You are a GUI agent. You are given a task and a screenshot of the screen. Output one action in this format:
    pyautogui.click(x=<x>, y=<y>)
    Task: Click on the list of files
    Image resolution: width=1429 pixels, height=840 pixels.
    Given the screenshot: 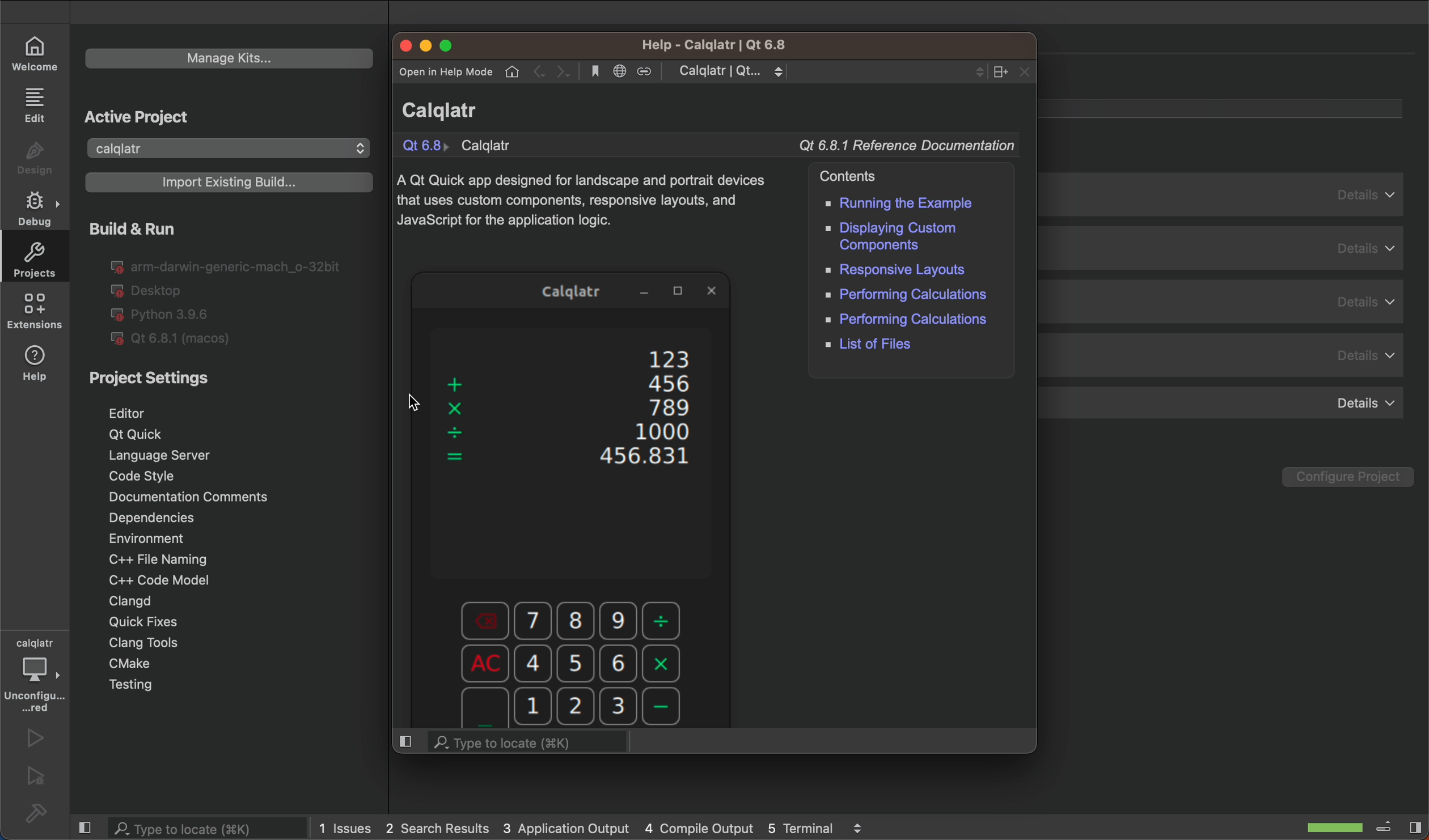 What is the action you would take?
    pyautogui.click(x=905, y=347)
    